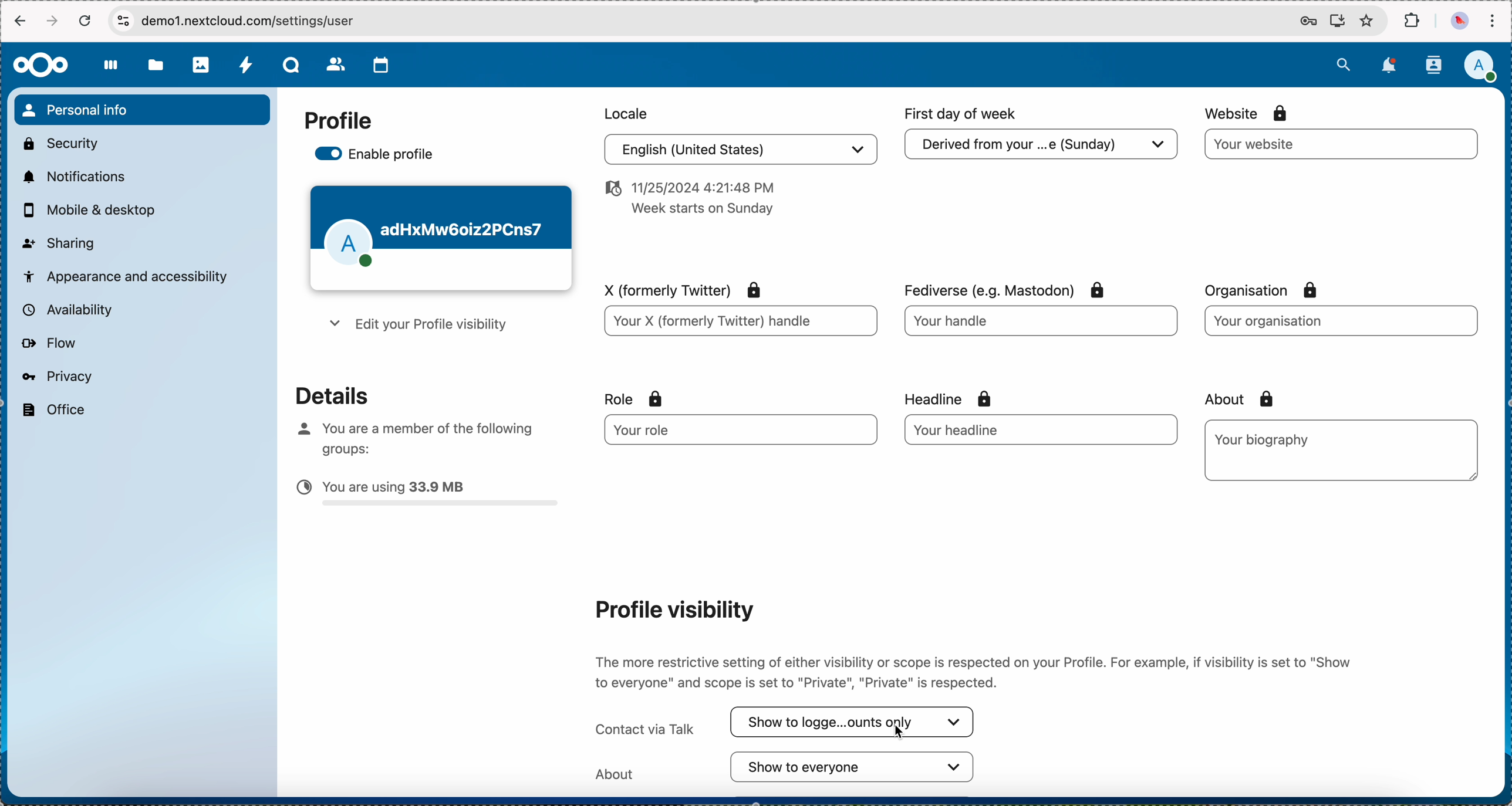 The image size is (1512, 806). Describe the element at coordinates (293, 66) in the screenshot. I see `Talk` at that location.